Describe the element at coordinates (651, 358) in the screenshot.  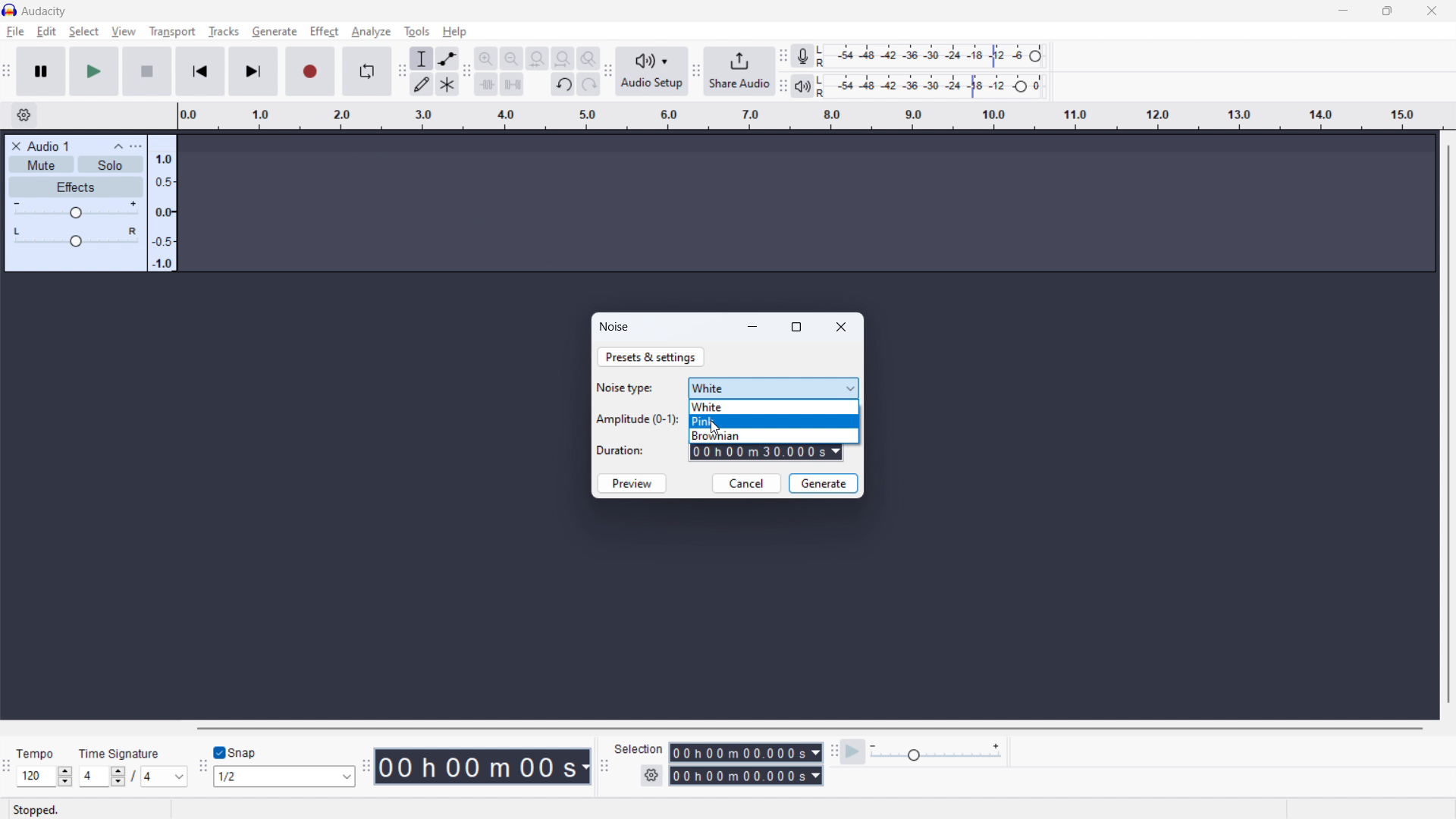
I see `prestes & settings` at that location.